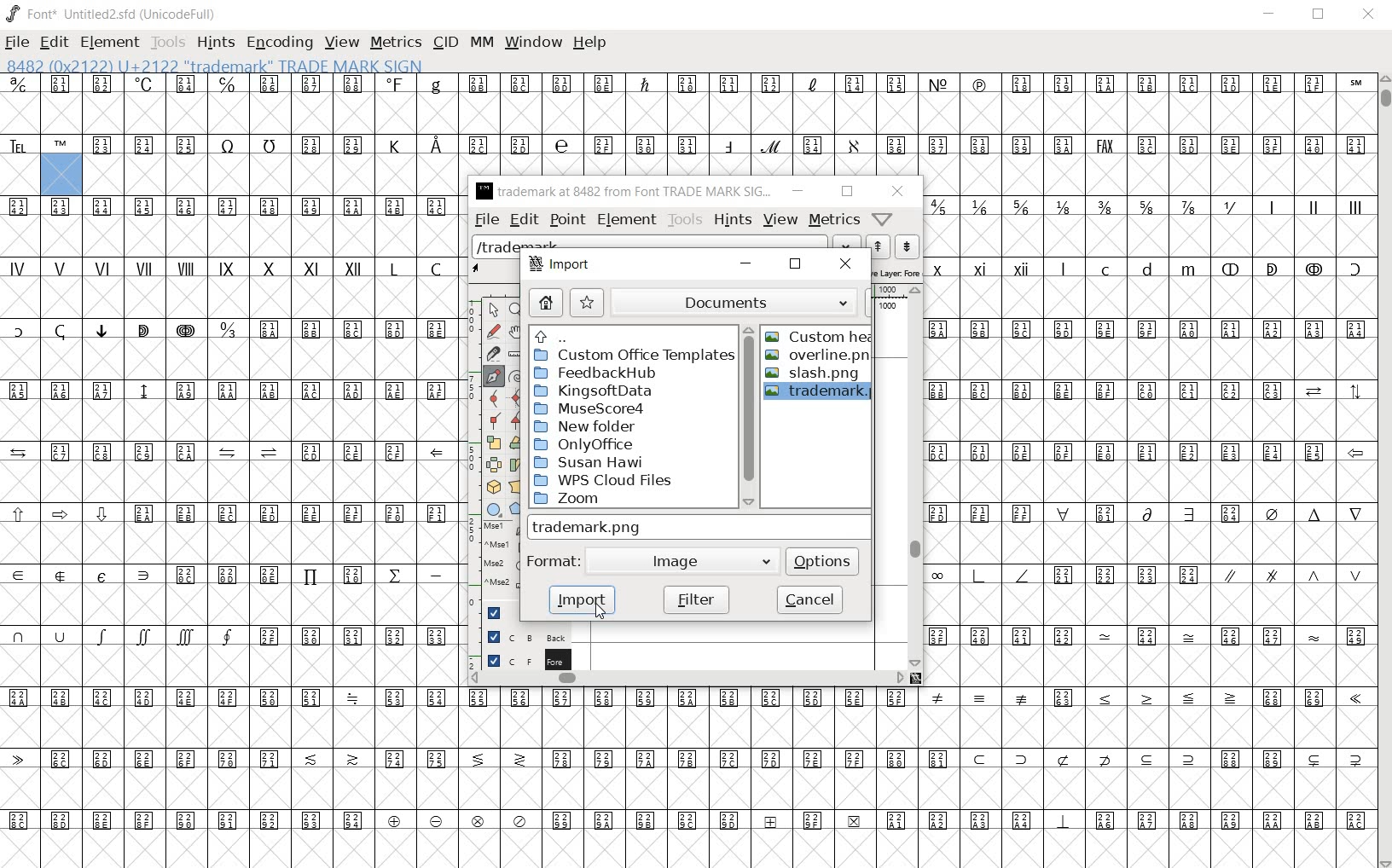  What do you see at coordinates (796, 267) in the screenshot?
I see `restore` at bounding box center [796, 267].